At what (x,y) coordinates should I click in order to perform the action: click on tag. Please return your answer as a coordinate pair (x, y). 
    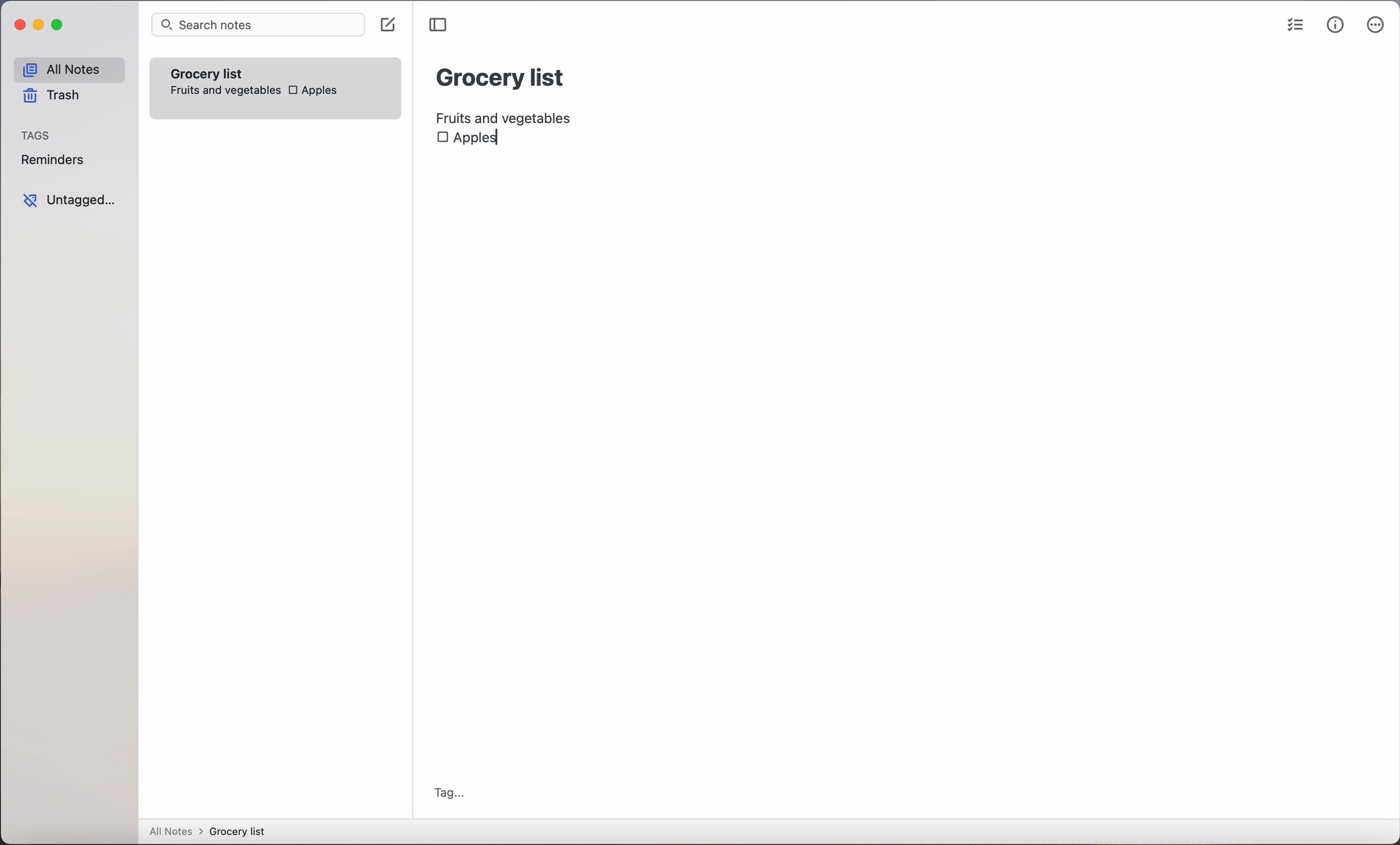
    Looking at the image, I should click on (449, 793).